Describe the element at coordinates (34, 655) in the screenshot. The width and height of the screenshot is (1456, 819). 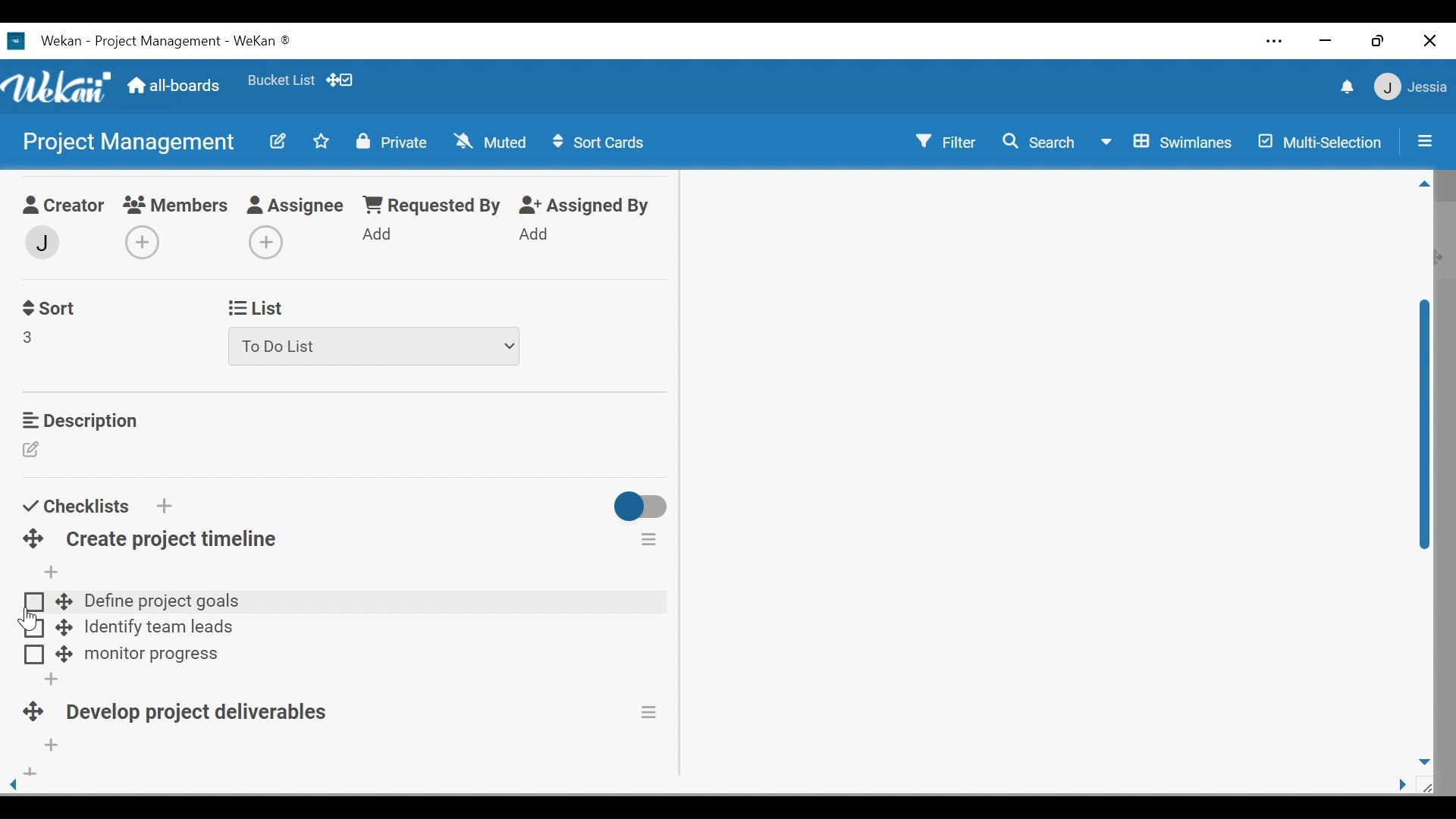
I see `(un)check` at that location.